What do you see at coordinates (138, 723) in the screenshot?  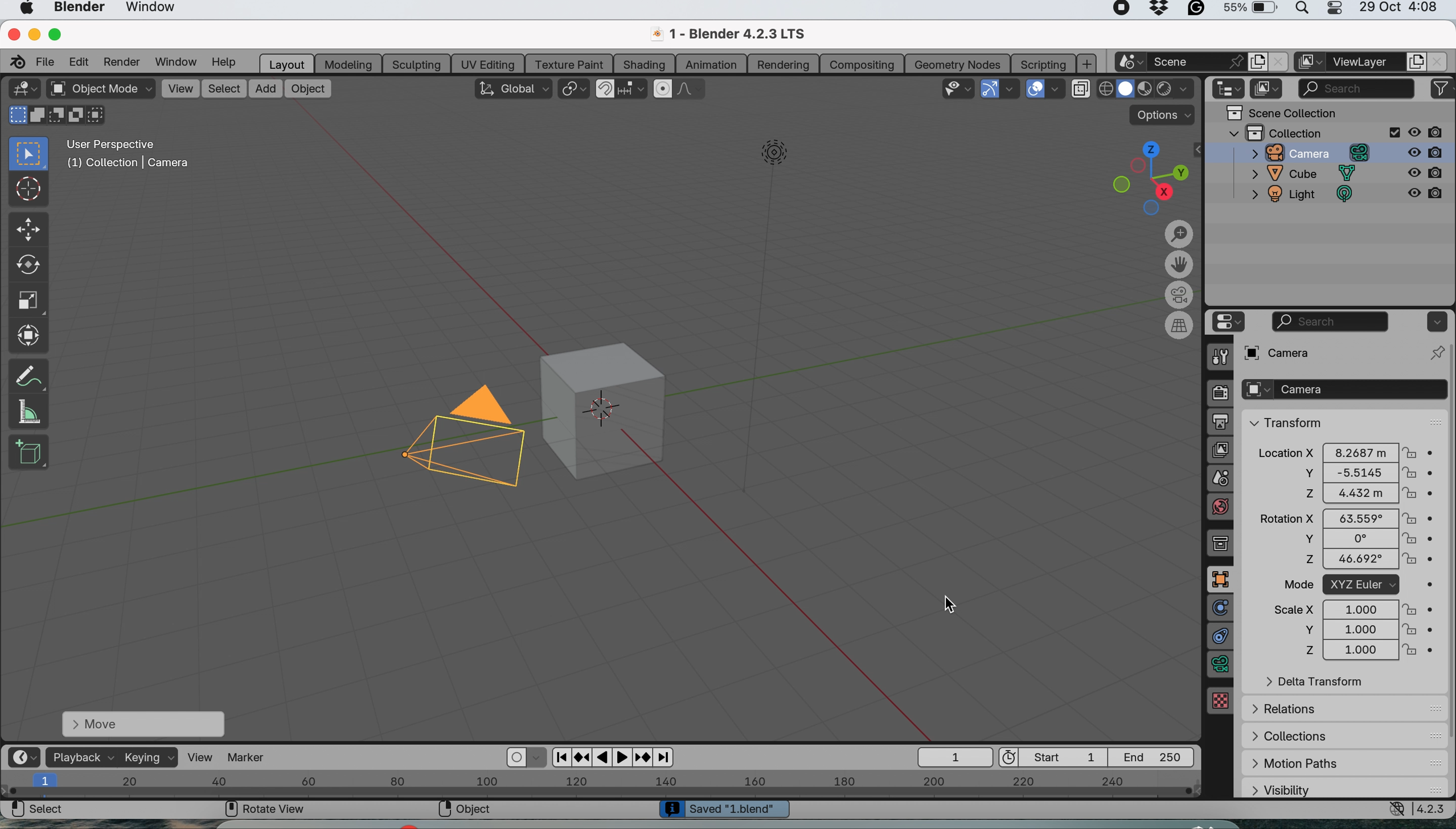 I see `move` at bounding box center [138, 723].